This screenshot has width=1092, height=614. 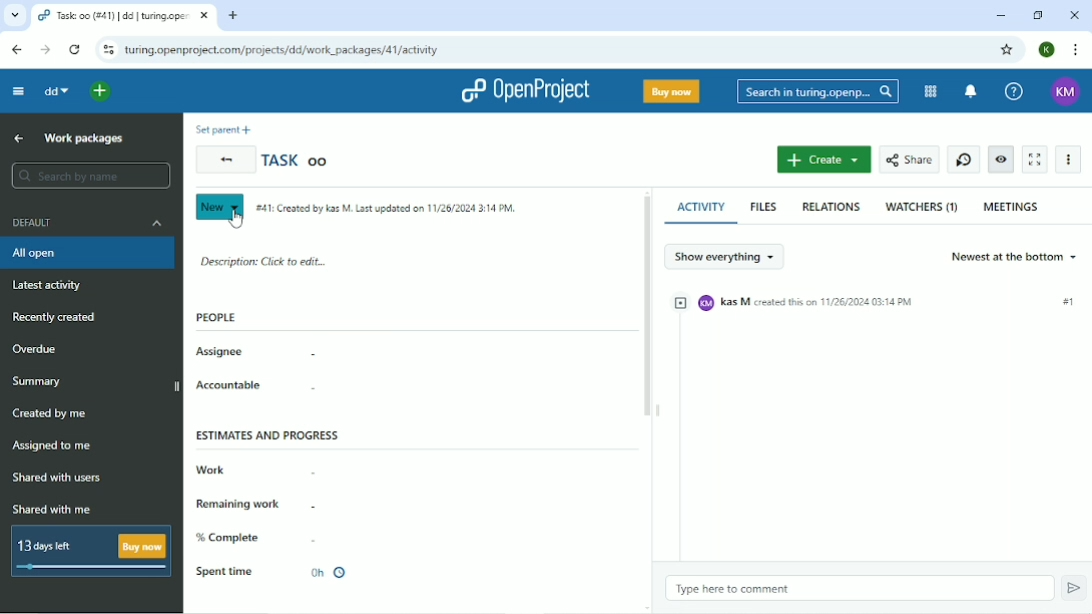 What do you see at coordinates (87, 223) in the screenshot?
I see `Default` at bounding box center [87, 223].